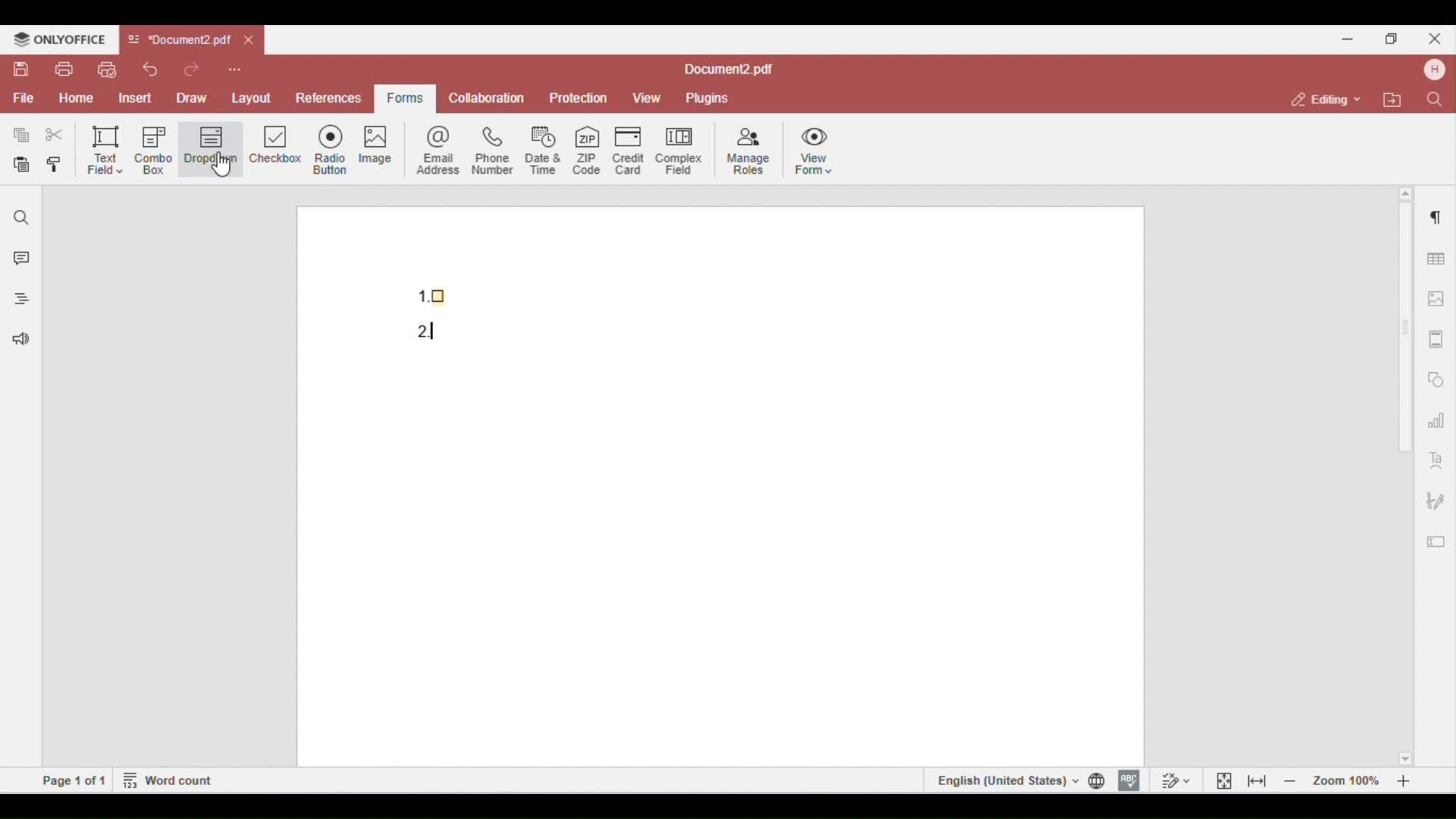  Describe the element at coordinates (679, 149) in the screenshot. I see `computer field` at that location.